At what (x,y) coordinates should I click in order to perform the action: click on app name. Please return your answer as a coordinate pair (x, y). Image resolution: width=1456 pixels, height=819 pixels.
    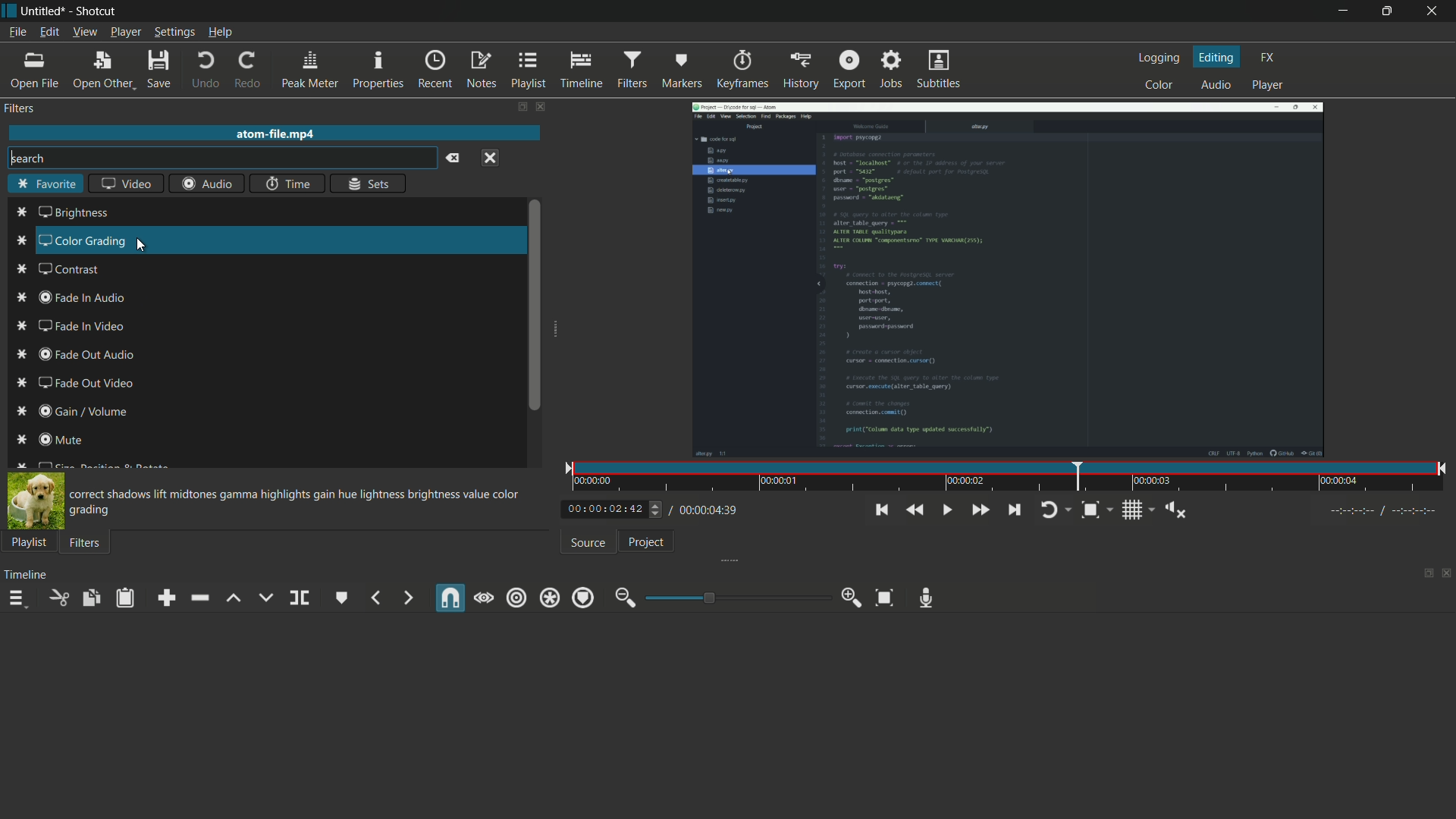
    Looking at the image, I should click on (96, 11).